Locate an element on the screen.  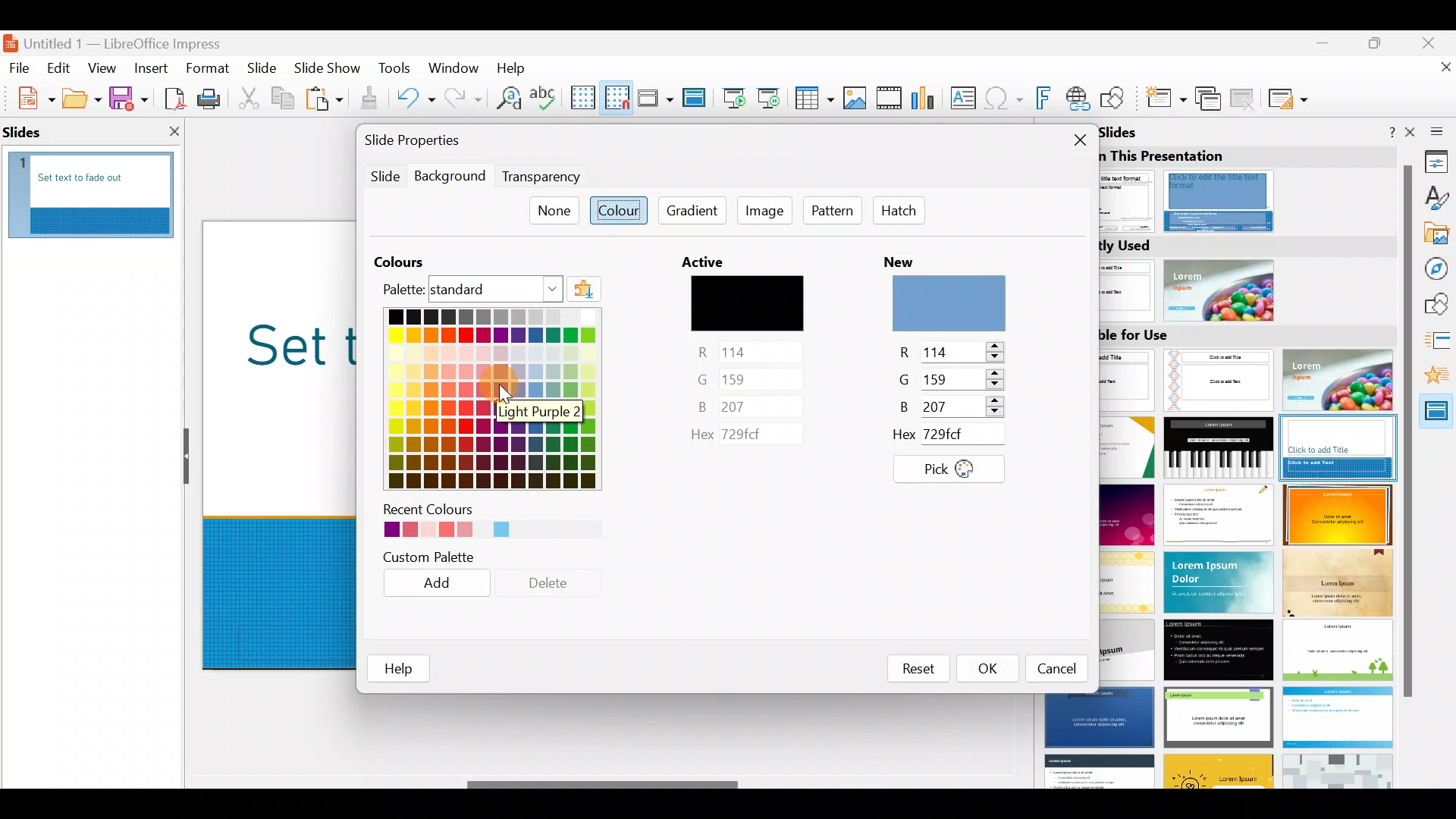
Animation is located at coordinates (1438, 380).